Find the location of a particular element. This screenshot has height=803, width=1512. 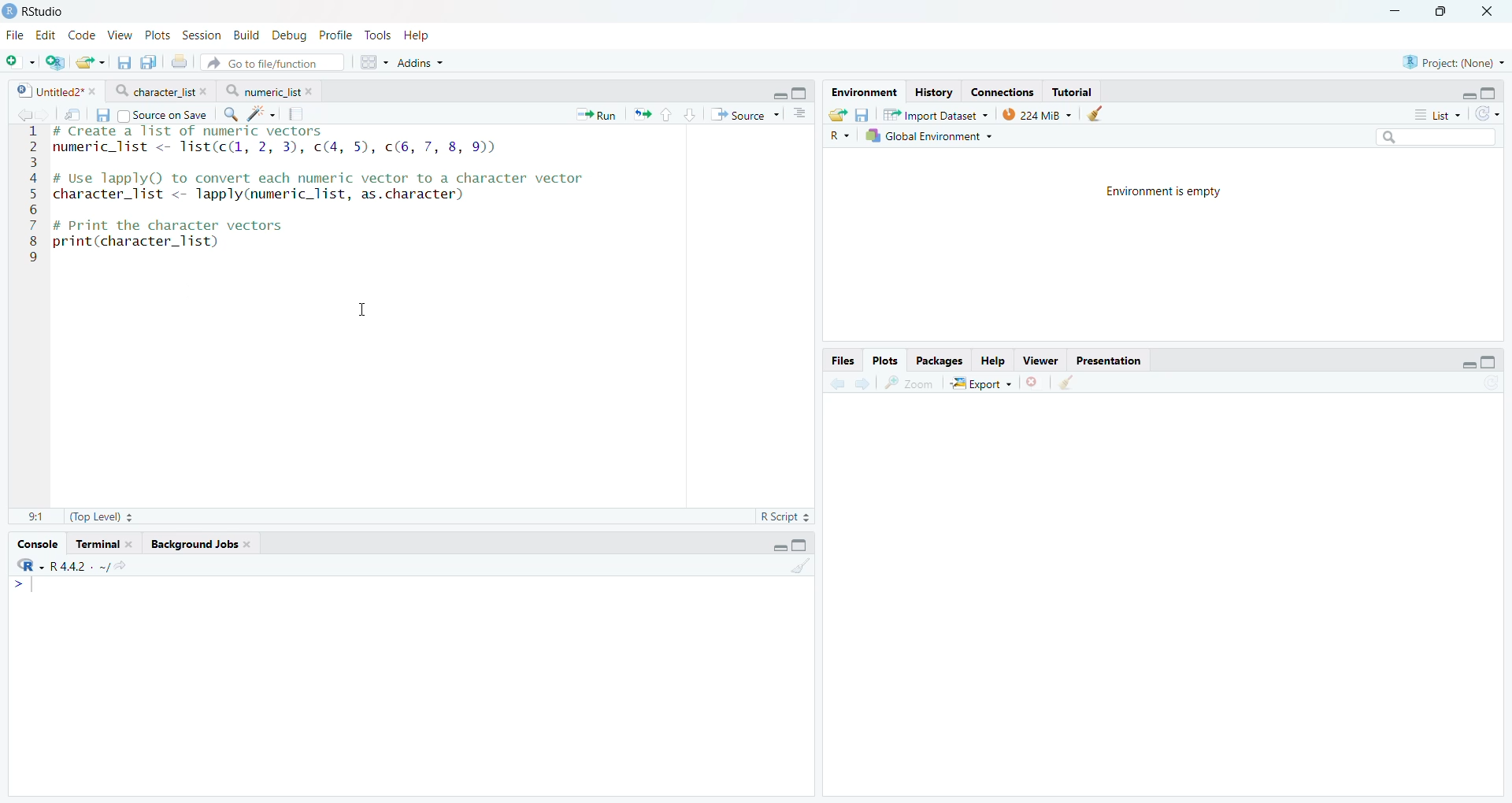

Hide is located at coordinates (1467, 94).